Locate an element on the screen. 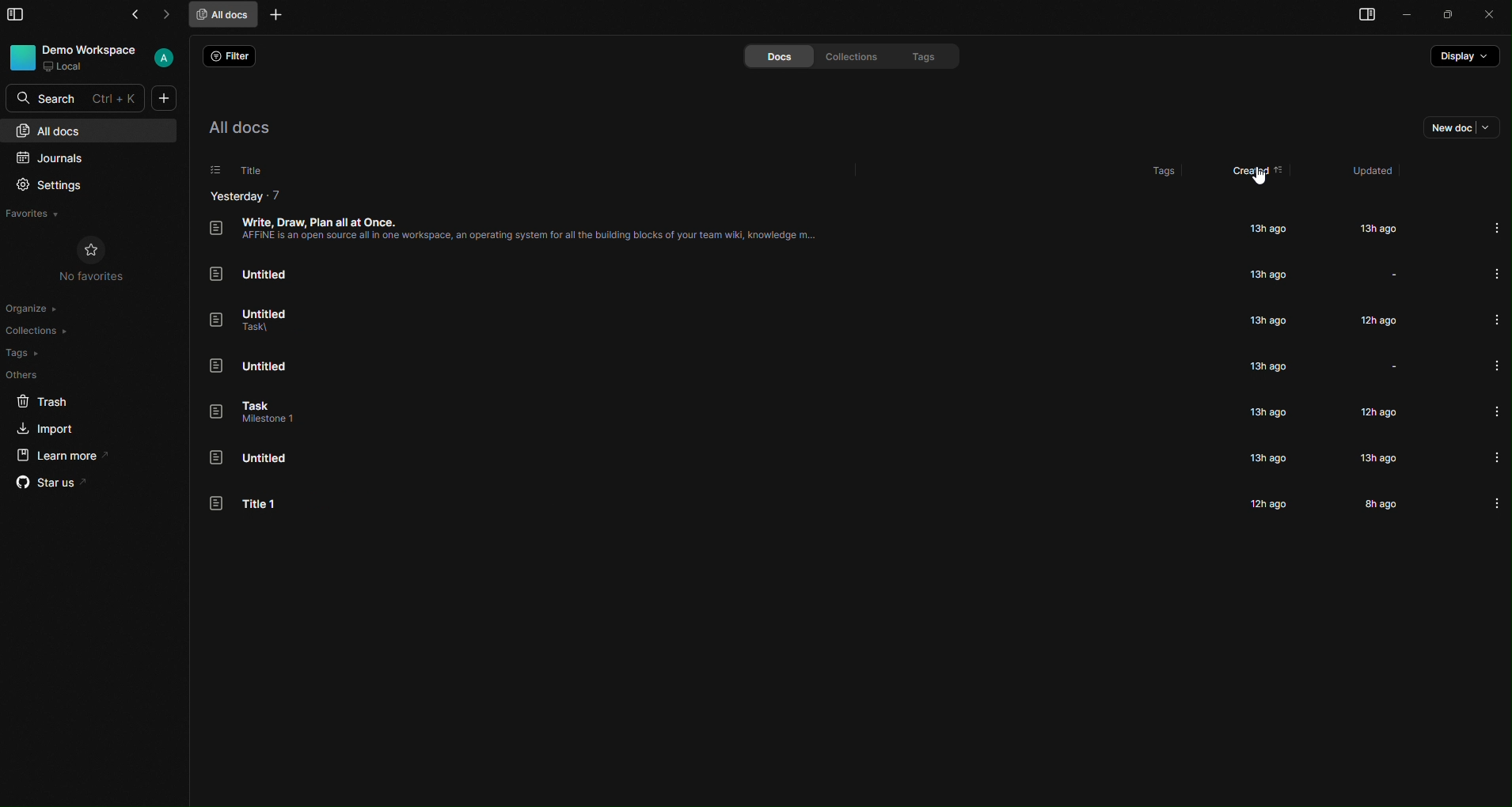  13h ago is located at coordinates (1381, 459).